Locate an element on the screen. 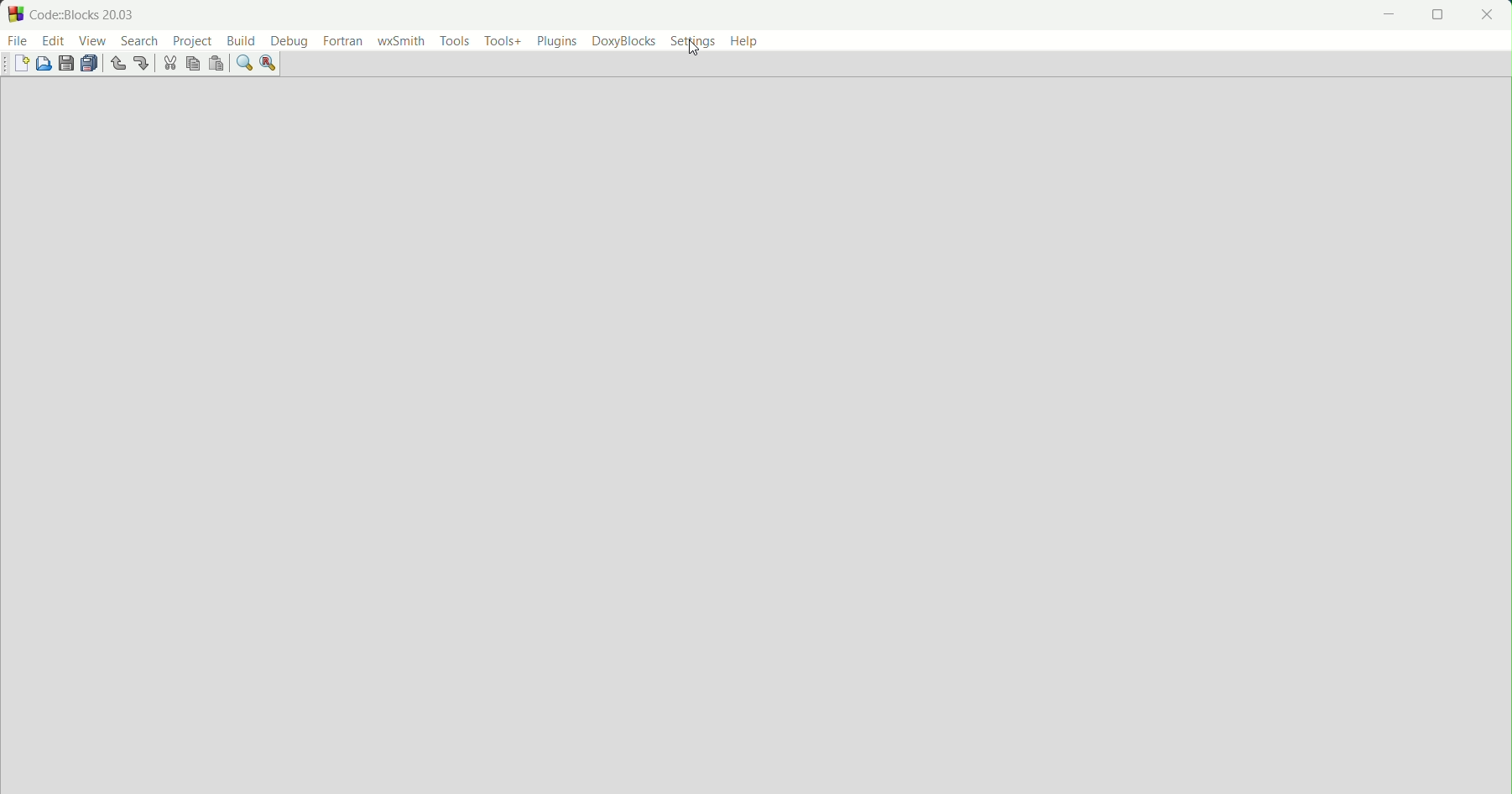 The height and width of the screenshot is (794, 1512). save all is located at coordinates (91, 65).